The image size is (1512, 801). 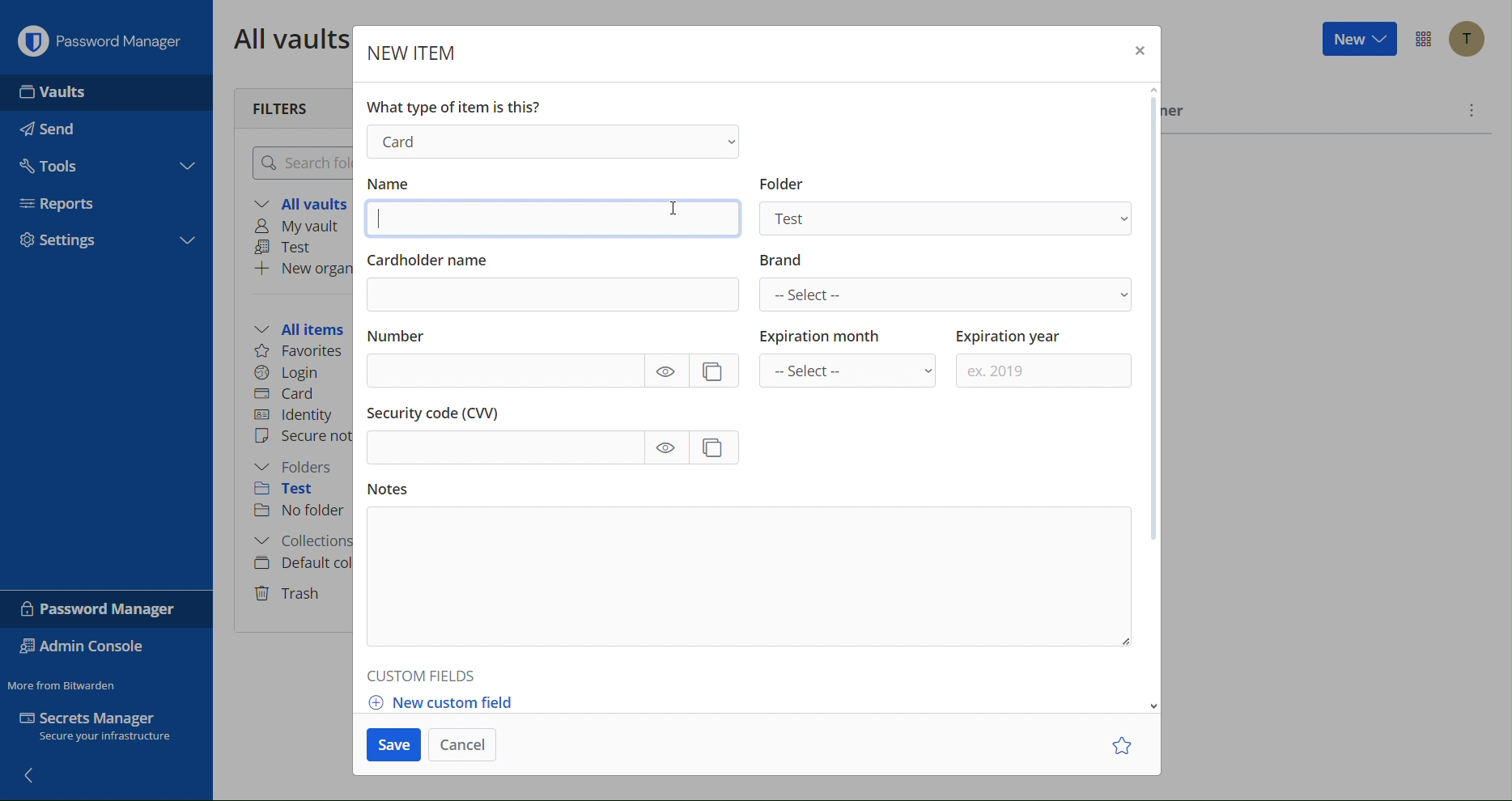 I want to click on Default collection, so click(x=303, y=563).